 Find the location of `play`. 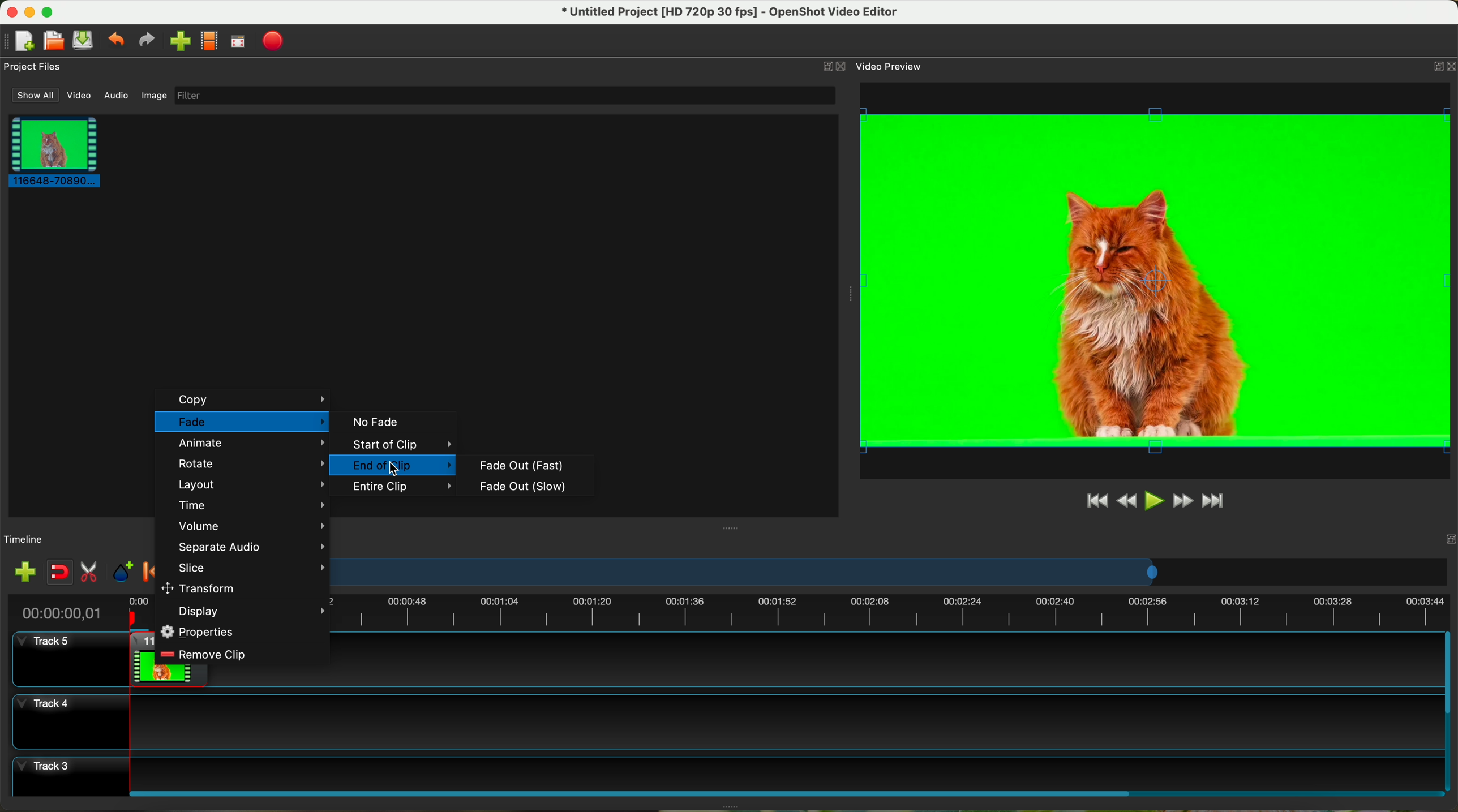

play is located at coordinates (1153, 500).